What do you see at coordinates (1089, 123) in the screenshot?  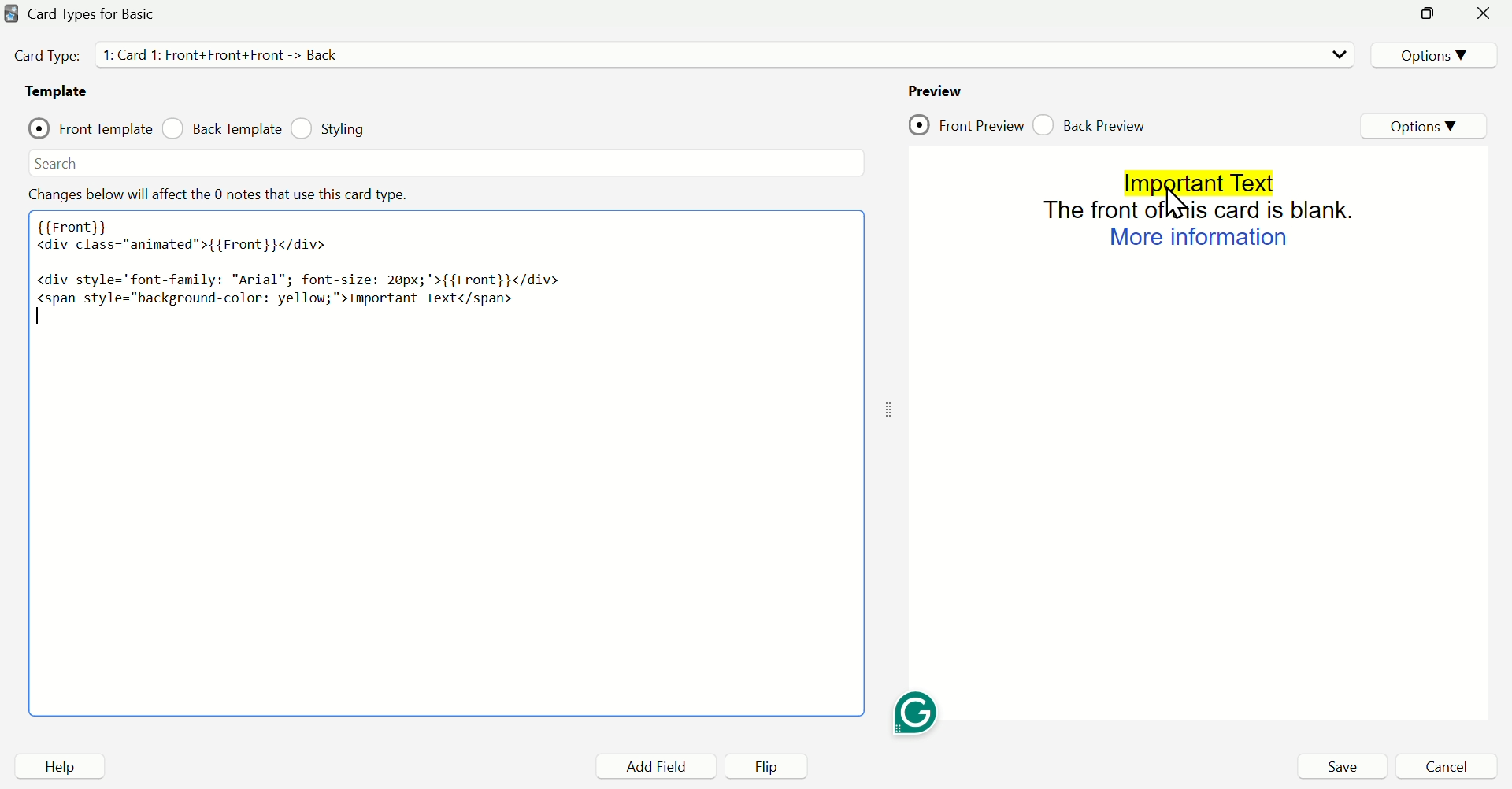 I see `check Back Preview` at bounding box center [1089, 123].